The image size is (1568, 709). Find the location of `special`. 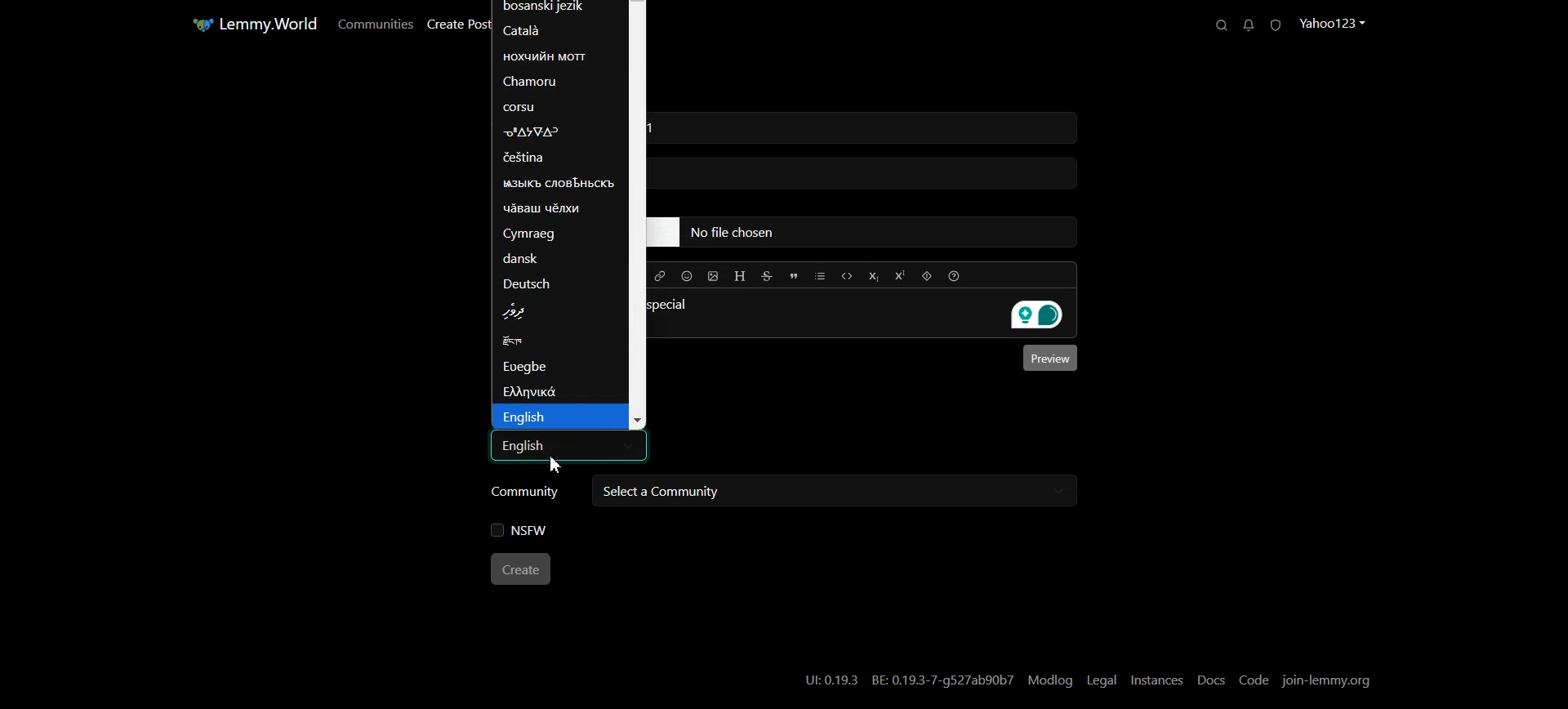

special is located at coordinates (690, 305).